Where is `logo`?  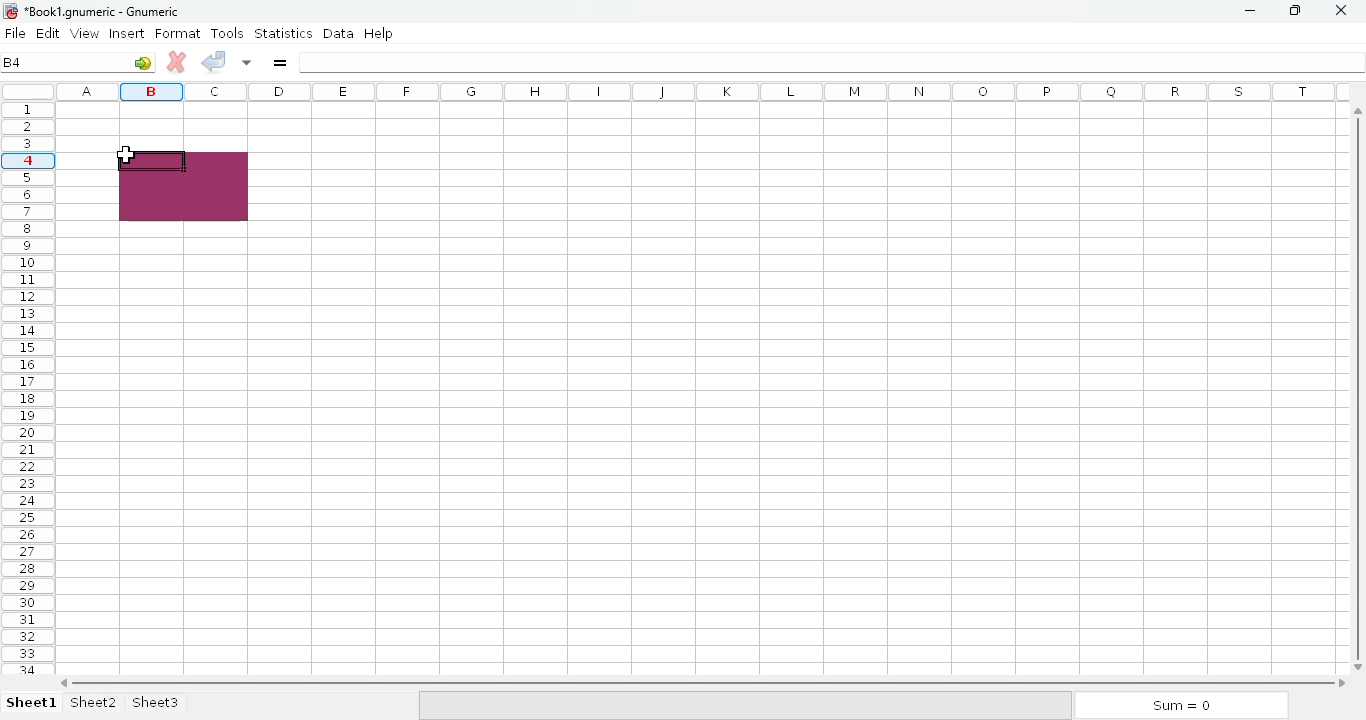
logo is located at coordinates (10, 12).